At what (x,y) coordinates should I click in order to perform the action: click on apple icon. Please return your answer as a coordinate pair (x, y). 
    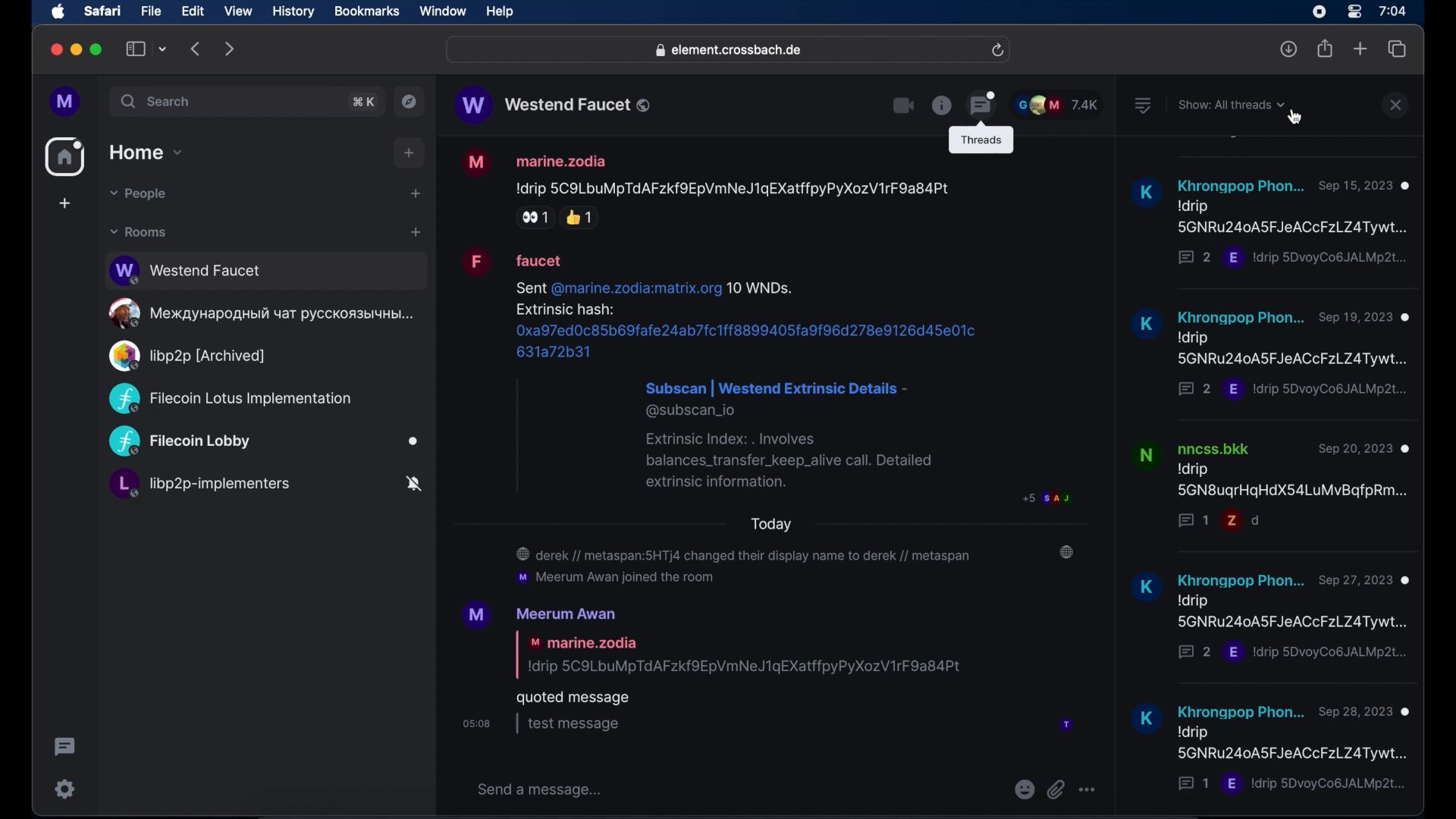
    Looking at the image, I should click on (58, 12).